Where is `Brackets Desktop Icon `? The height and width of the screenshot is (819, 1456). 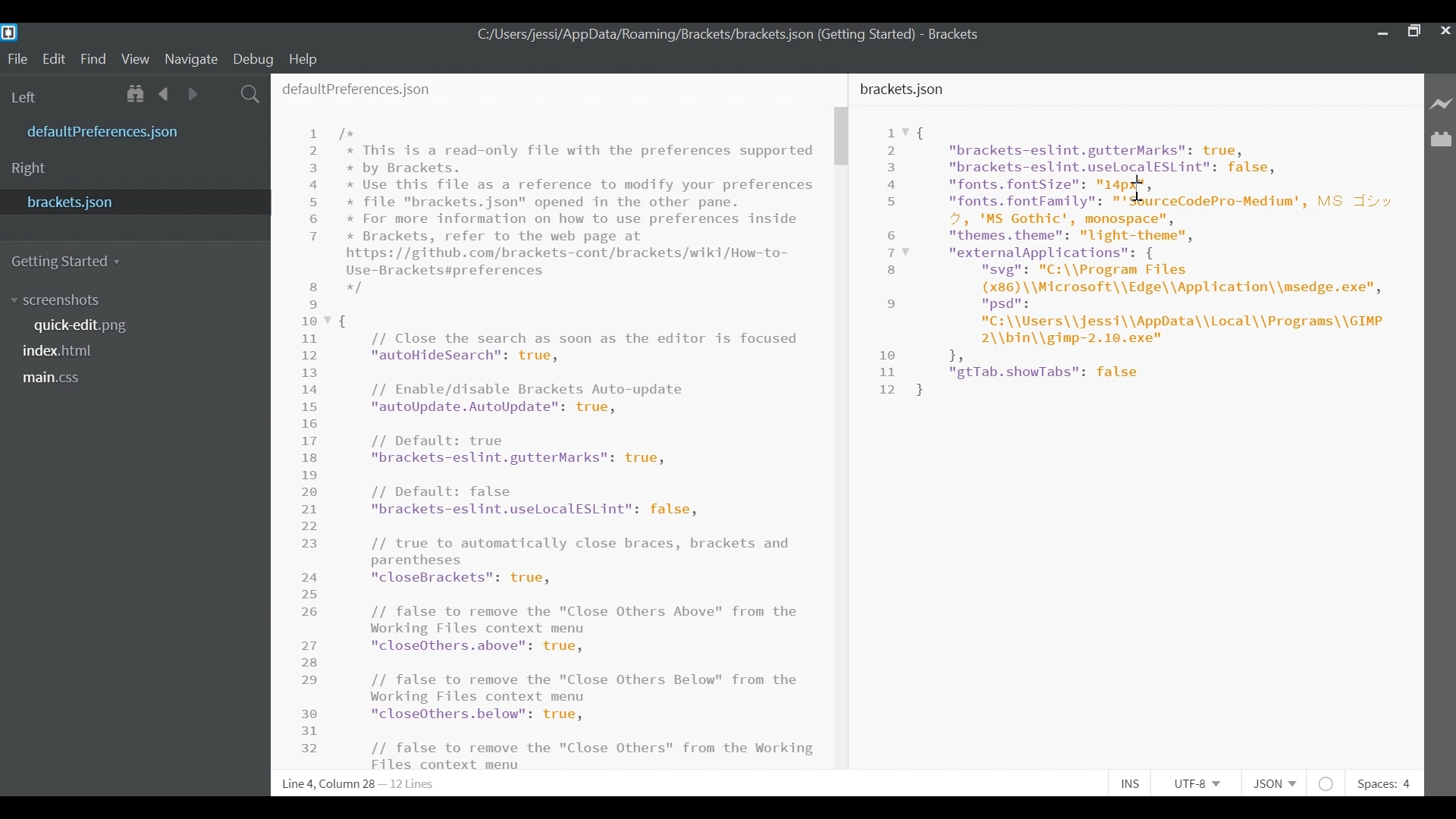 Brackets Desktop Icon  is located at coordinates (9, 32).